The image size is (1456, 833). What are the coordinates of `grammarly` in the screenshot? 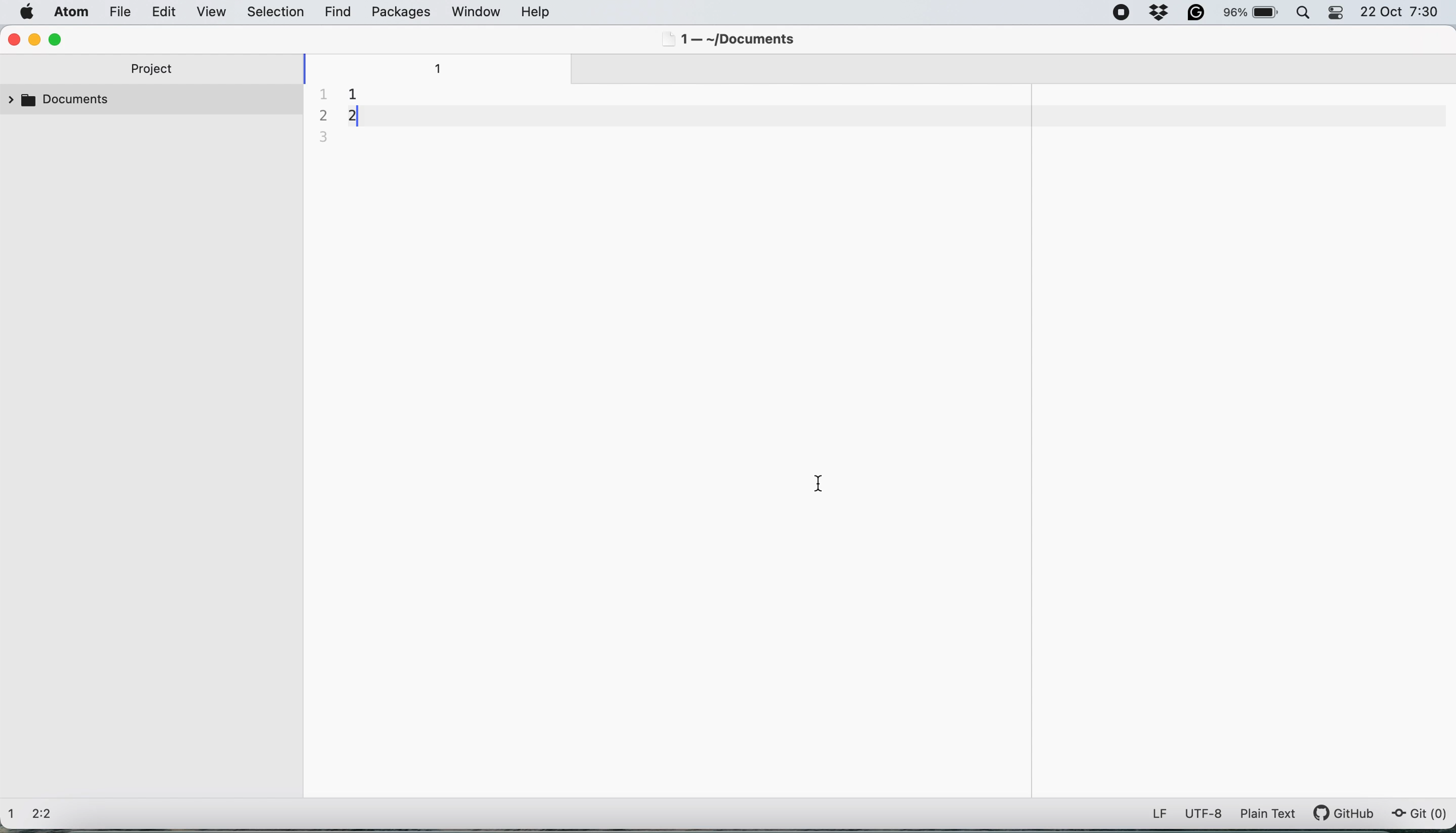 It's located at (1191, 14).